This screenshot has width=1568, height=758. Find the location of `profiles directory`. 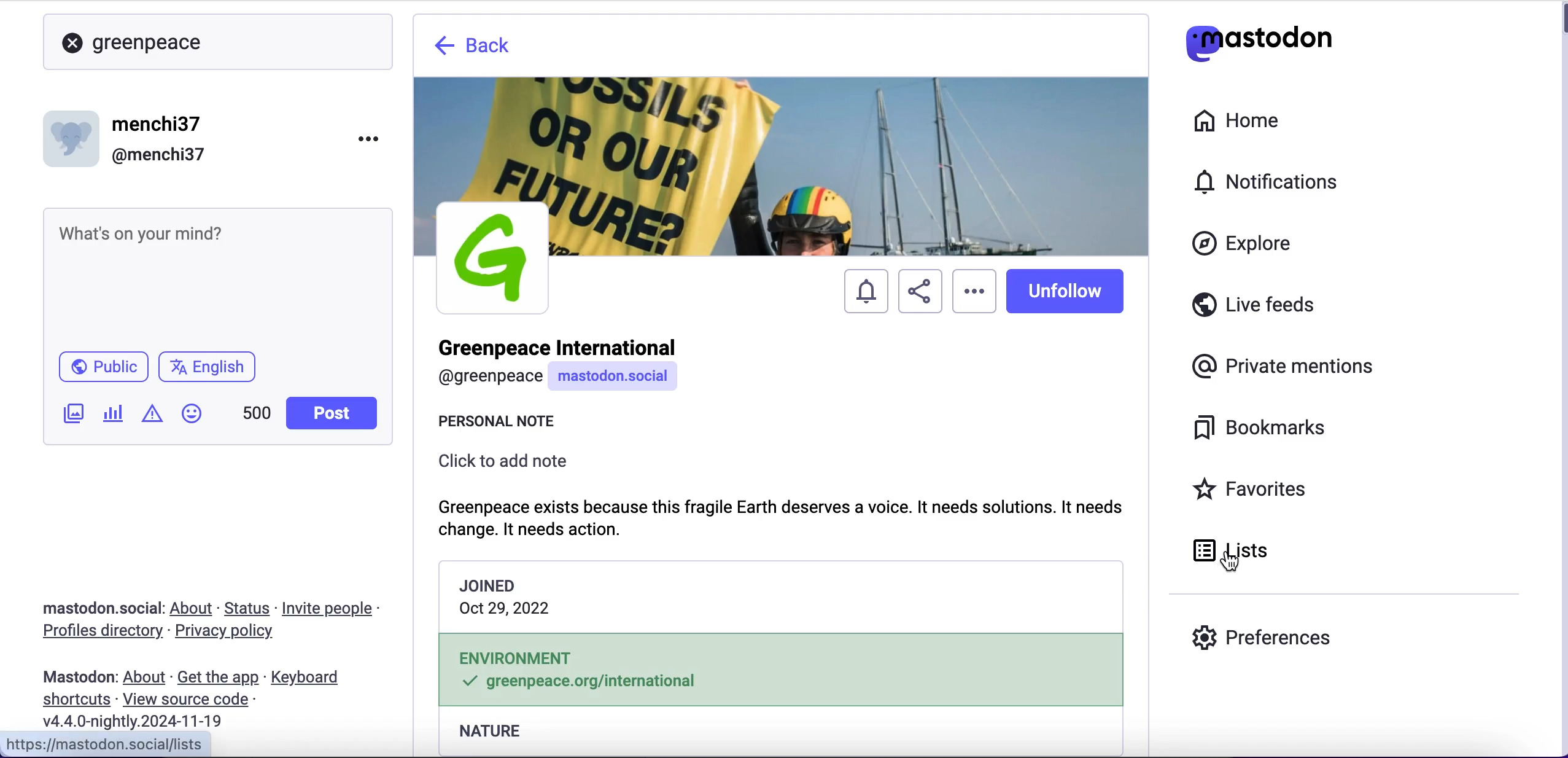

profiles directory is located at coordinates (95, 633).